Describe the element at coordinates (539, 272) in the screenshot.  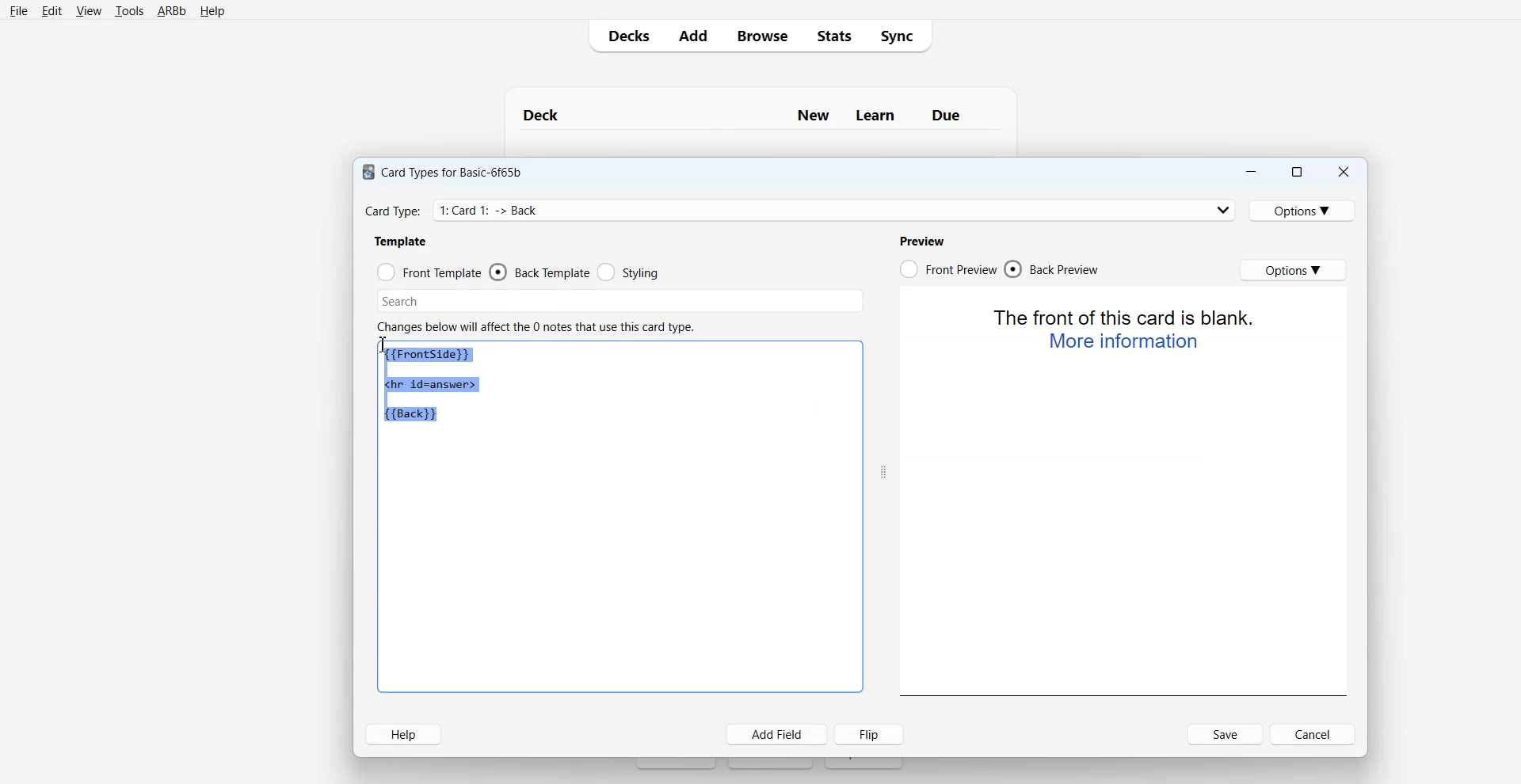
I see `Back Template` at that location.